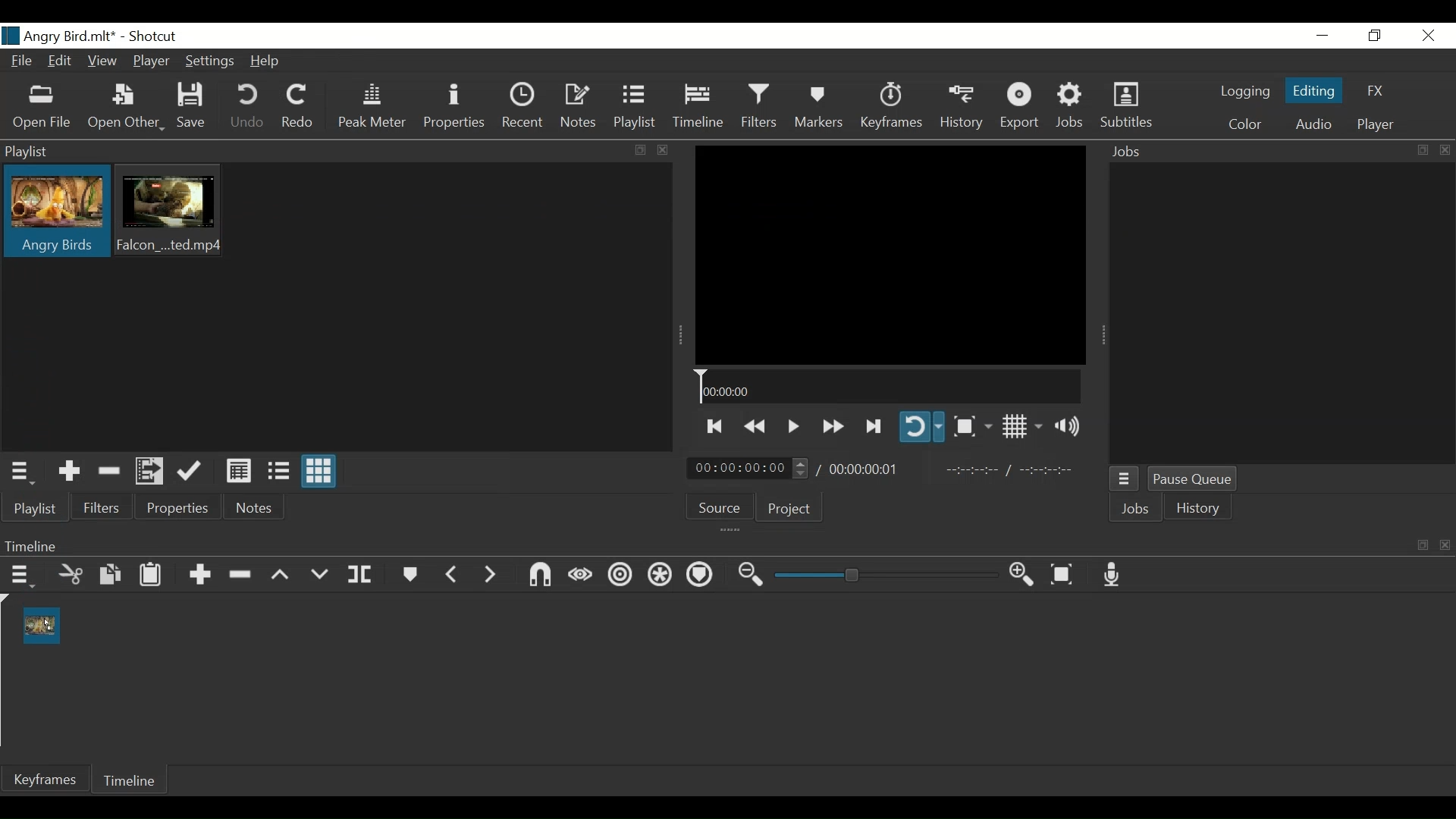 The image size is (1456, 819). What do you see at coordinates (526, 108) in the screenshot?
I see `Recent` at bounding box center [526, 108].